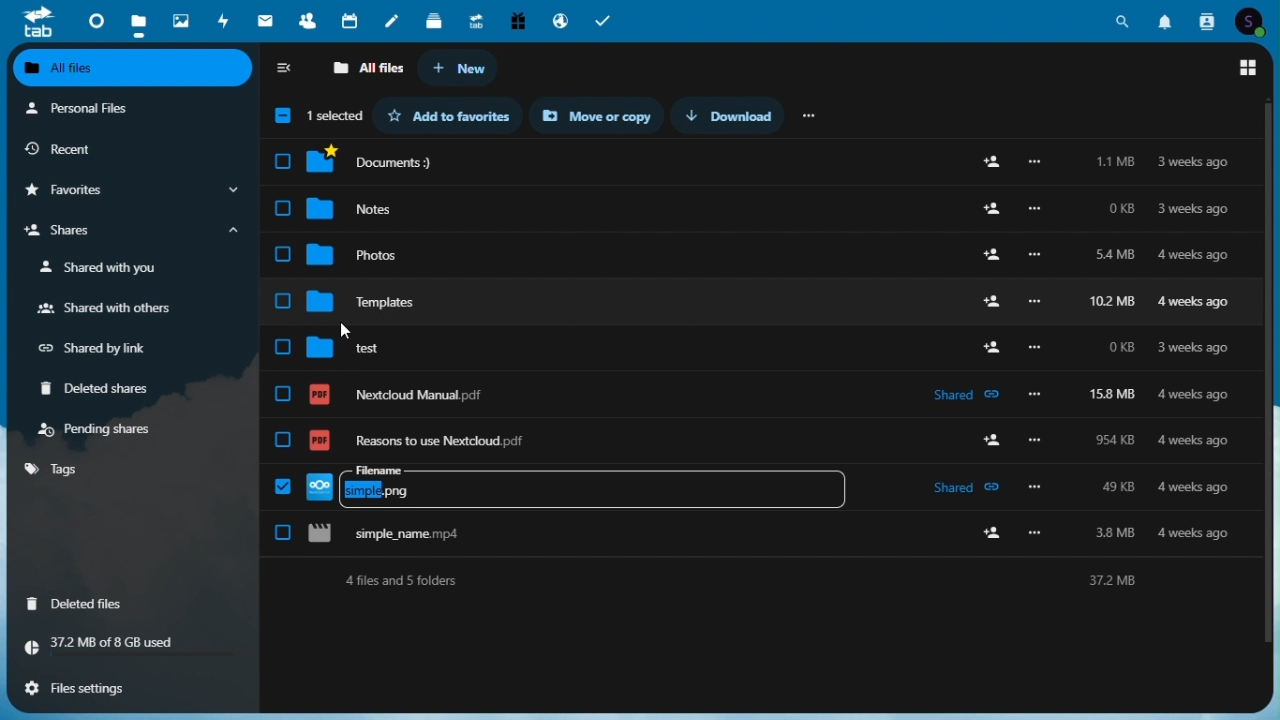 Image resolution: width=1280 pixels, height=720 pixels. Describe the element at coordinates (137, 20) in the screenshot. I see `files` at that location.